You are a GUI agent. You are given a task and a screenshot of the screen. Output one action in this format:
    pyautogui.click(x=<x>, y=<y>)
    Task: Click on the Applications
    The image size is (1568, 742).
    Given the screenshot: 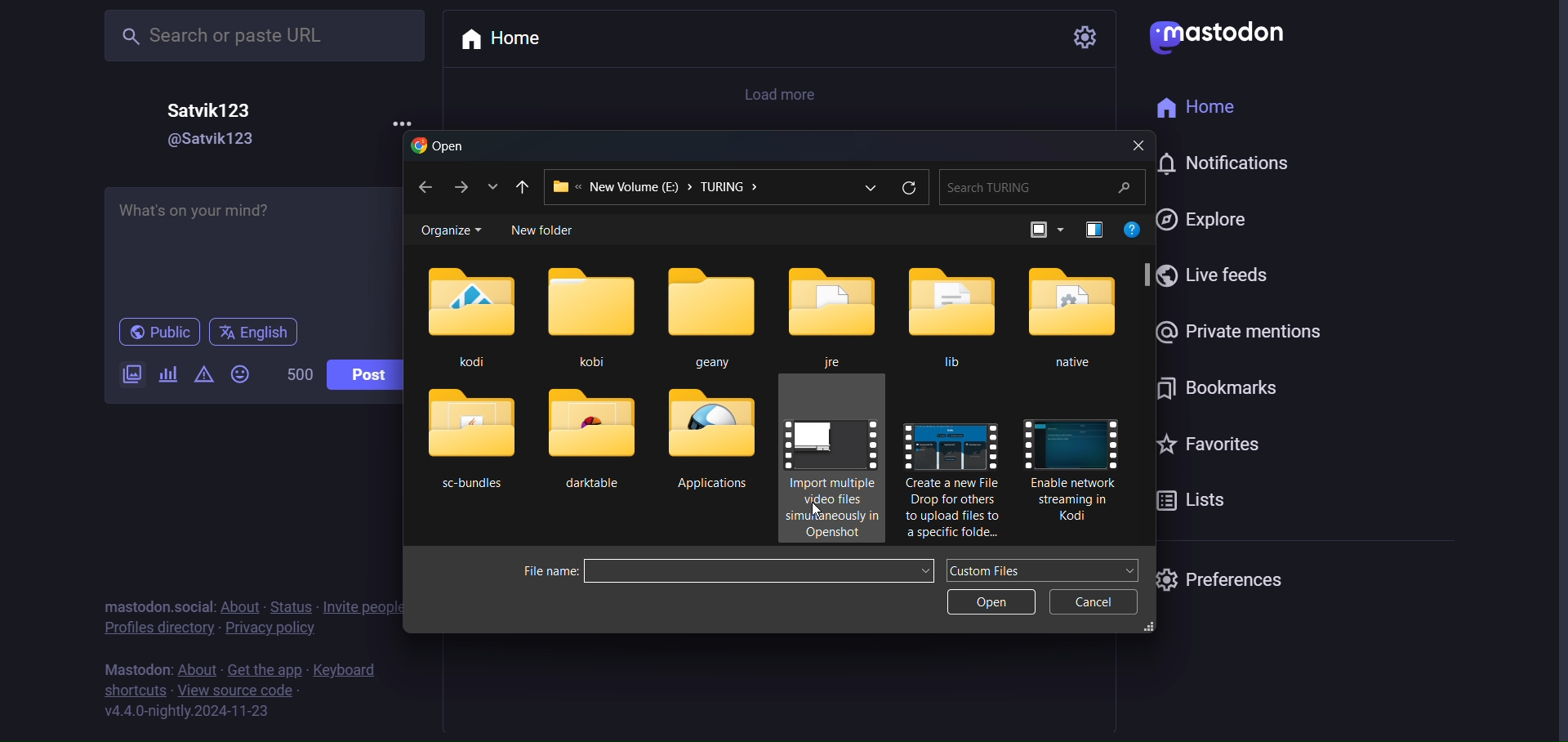 What is the action you would take?
    pyautogui.click(x=719, y=442)
    